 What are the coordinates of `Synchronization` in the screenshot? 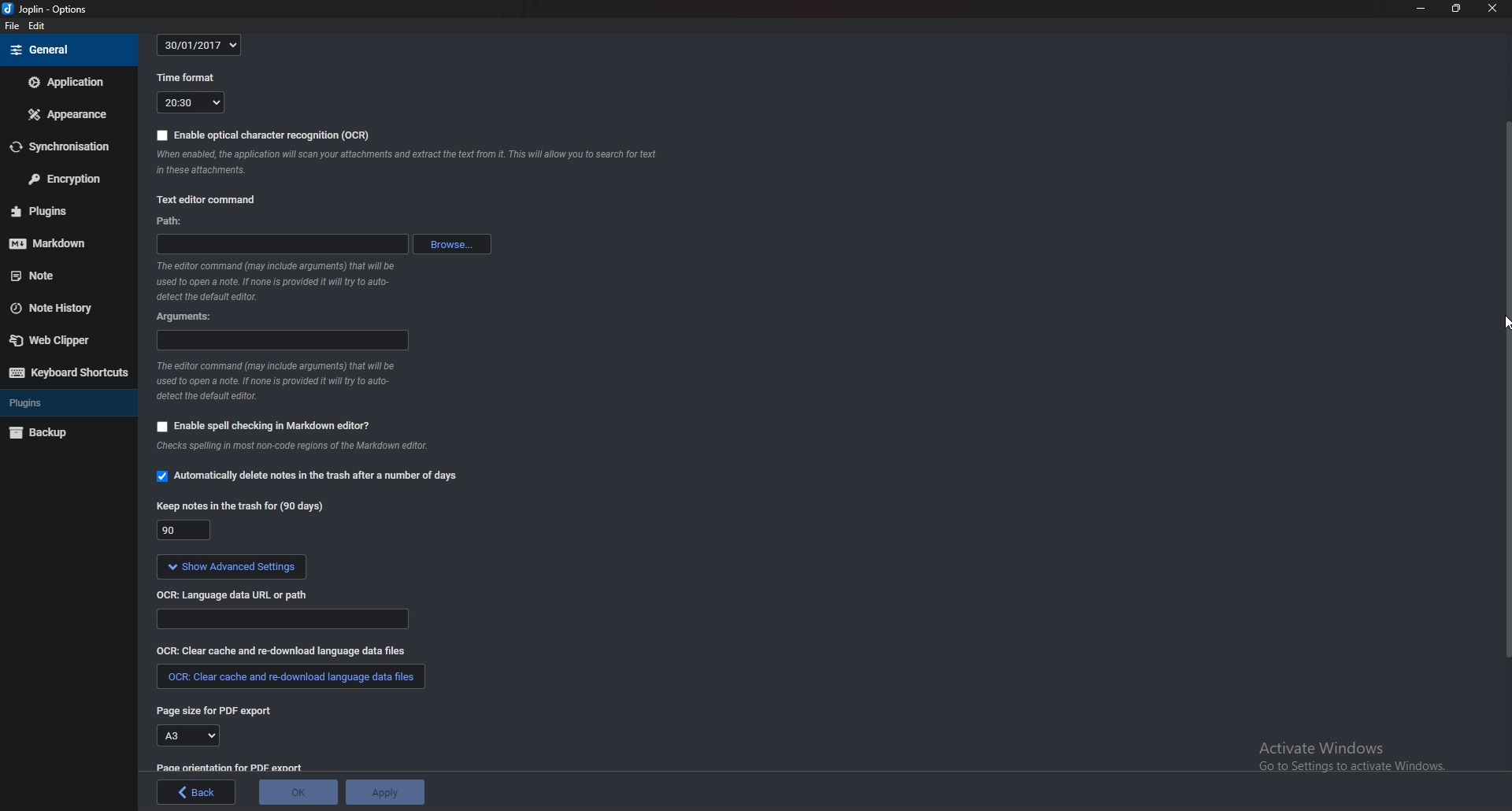 It's located at (64, 146).